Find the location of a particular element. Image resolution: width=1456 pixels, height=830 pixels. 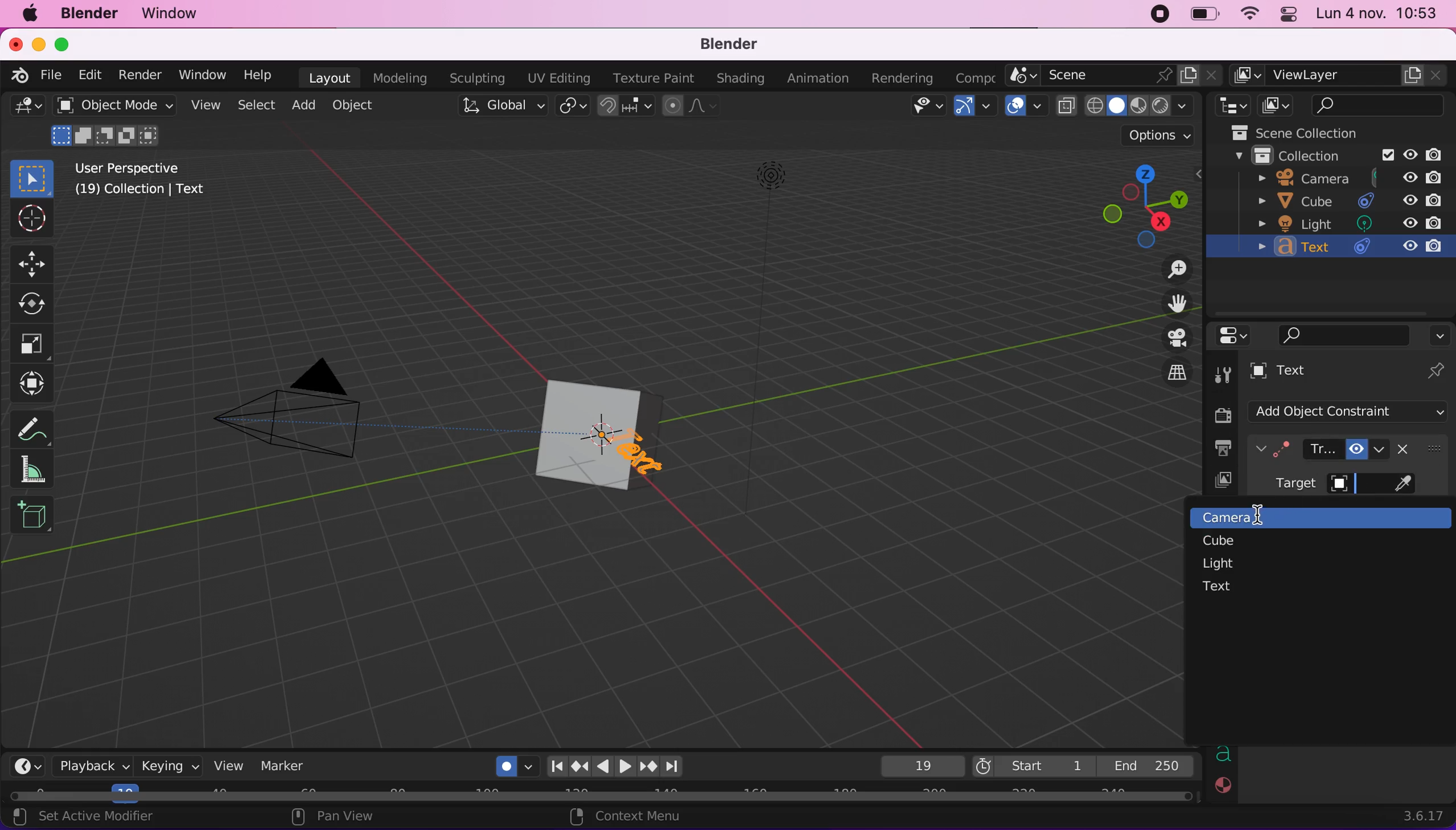

viewlayer is located at coordinates (1337, 76).